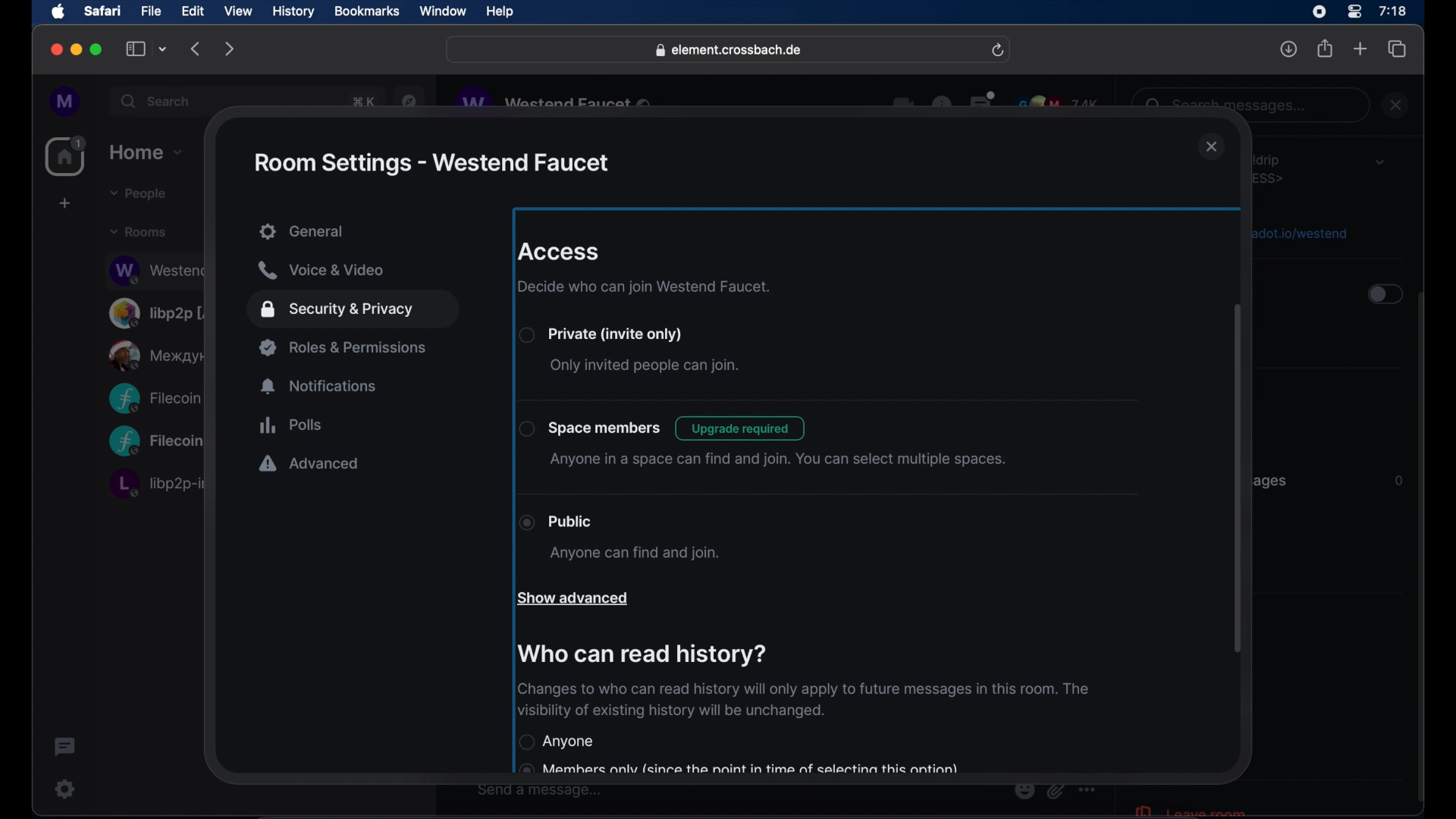 The image size is (1456, 819). Describe the element at coordinates (55, 50) in the screenshot. I see `close` at that location.